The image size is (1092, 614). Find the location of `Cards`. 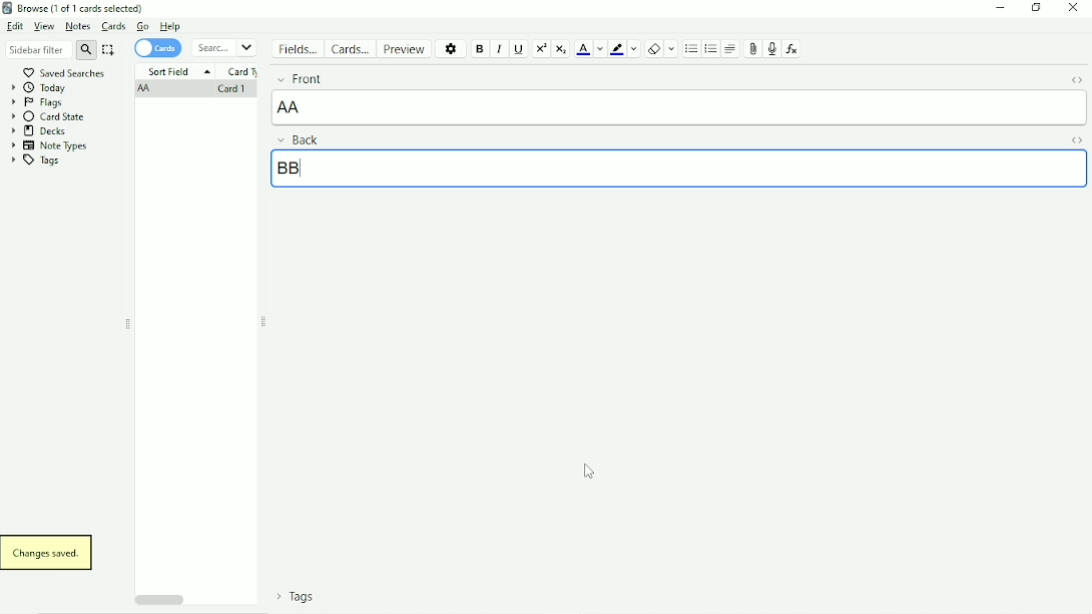

Cards is located at coordinates (349, 48).